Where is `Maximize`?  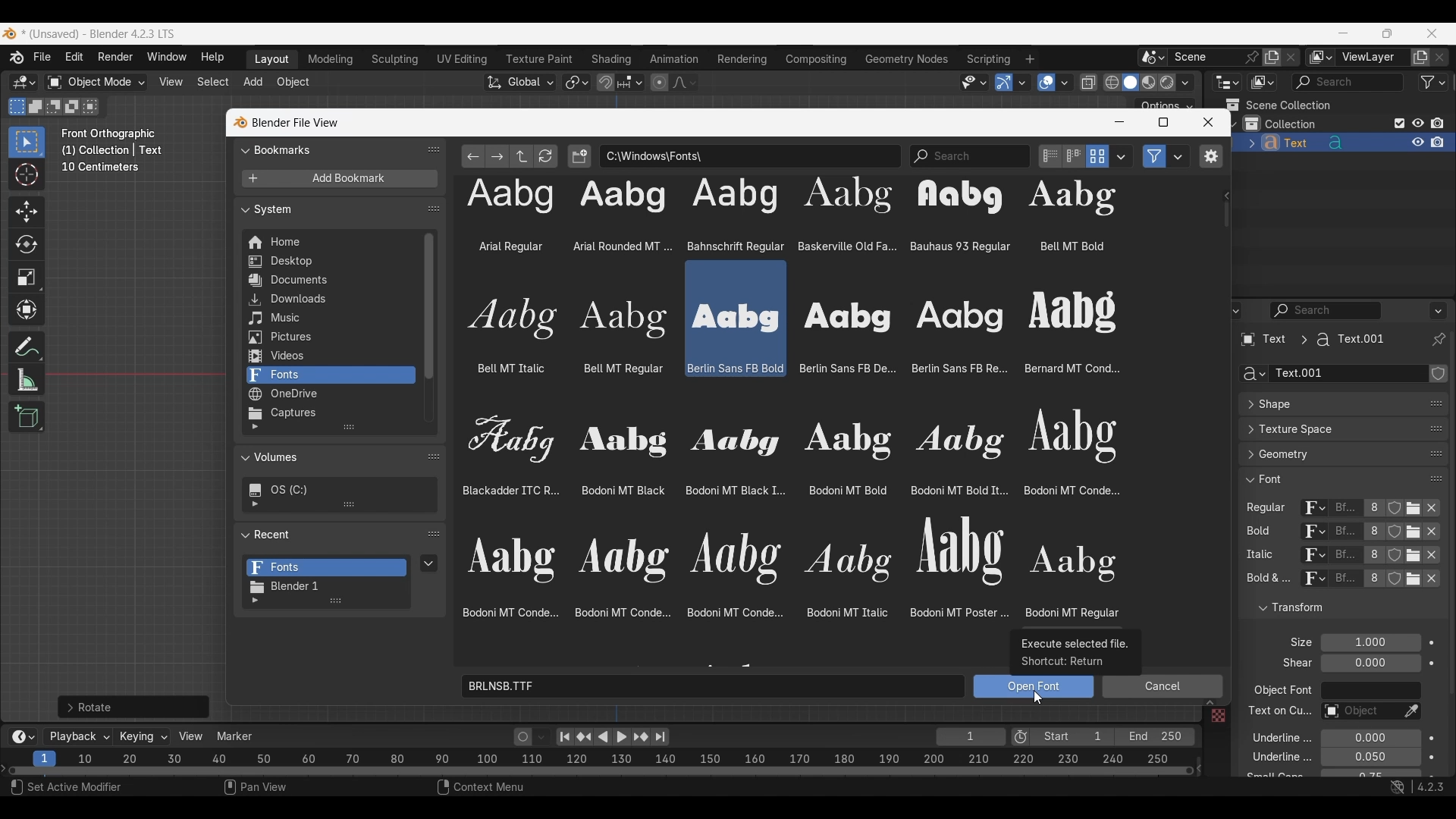 Maximize is located at coordinates (1163, 122).